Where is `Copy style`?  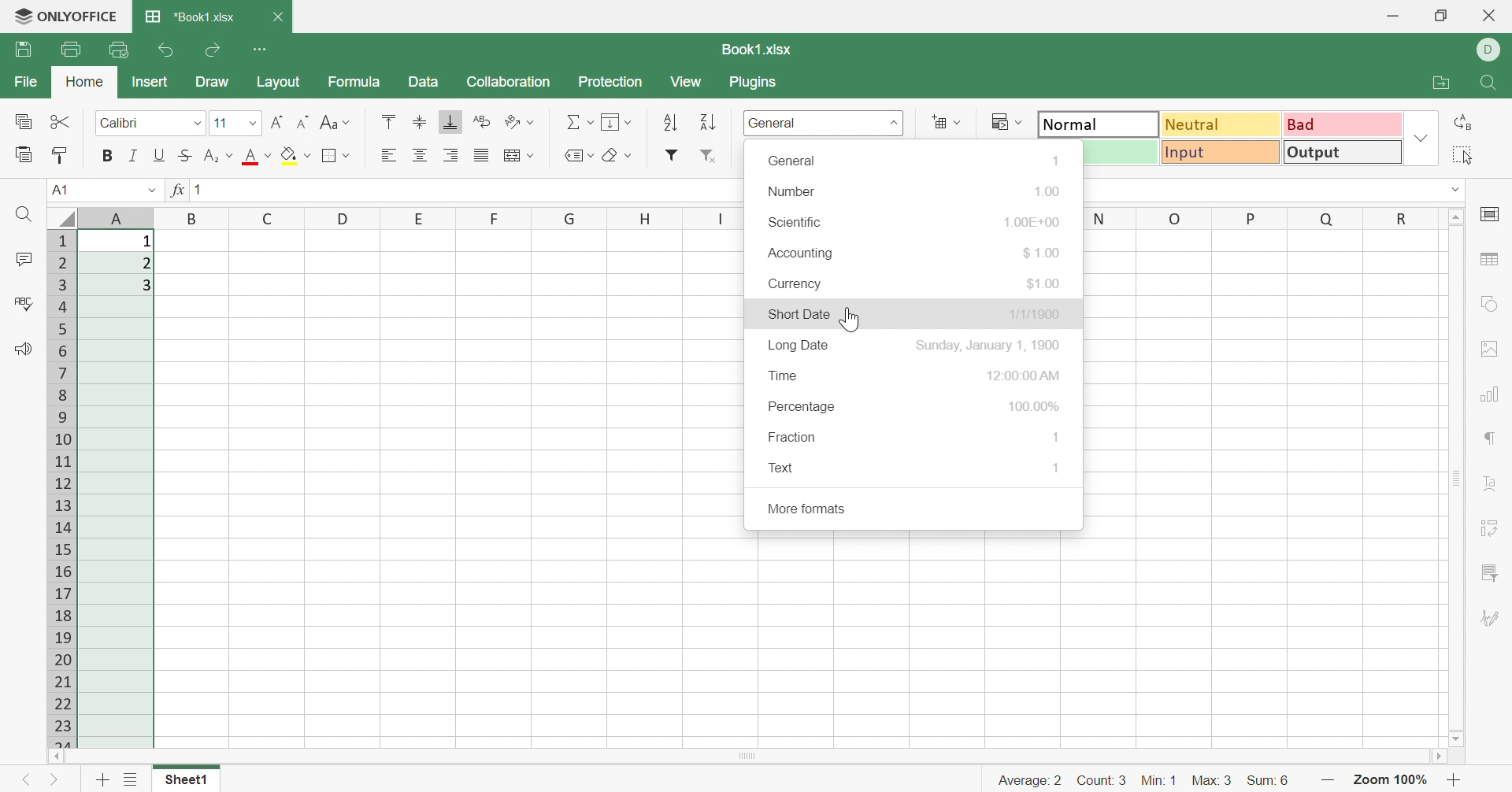
Copy style is located at coordinates (59, 155).